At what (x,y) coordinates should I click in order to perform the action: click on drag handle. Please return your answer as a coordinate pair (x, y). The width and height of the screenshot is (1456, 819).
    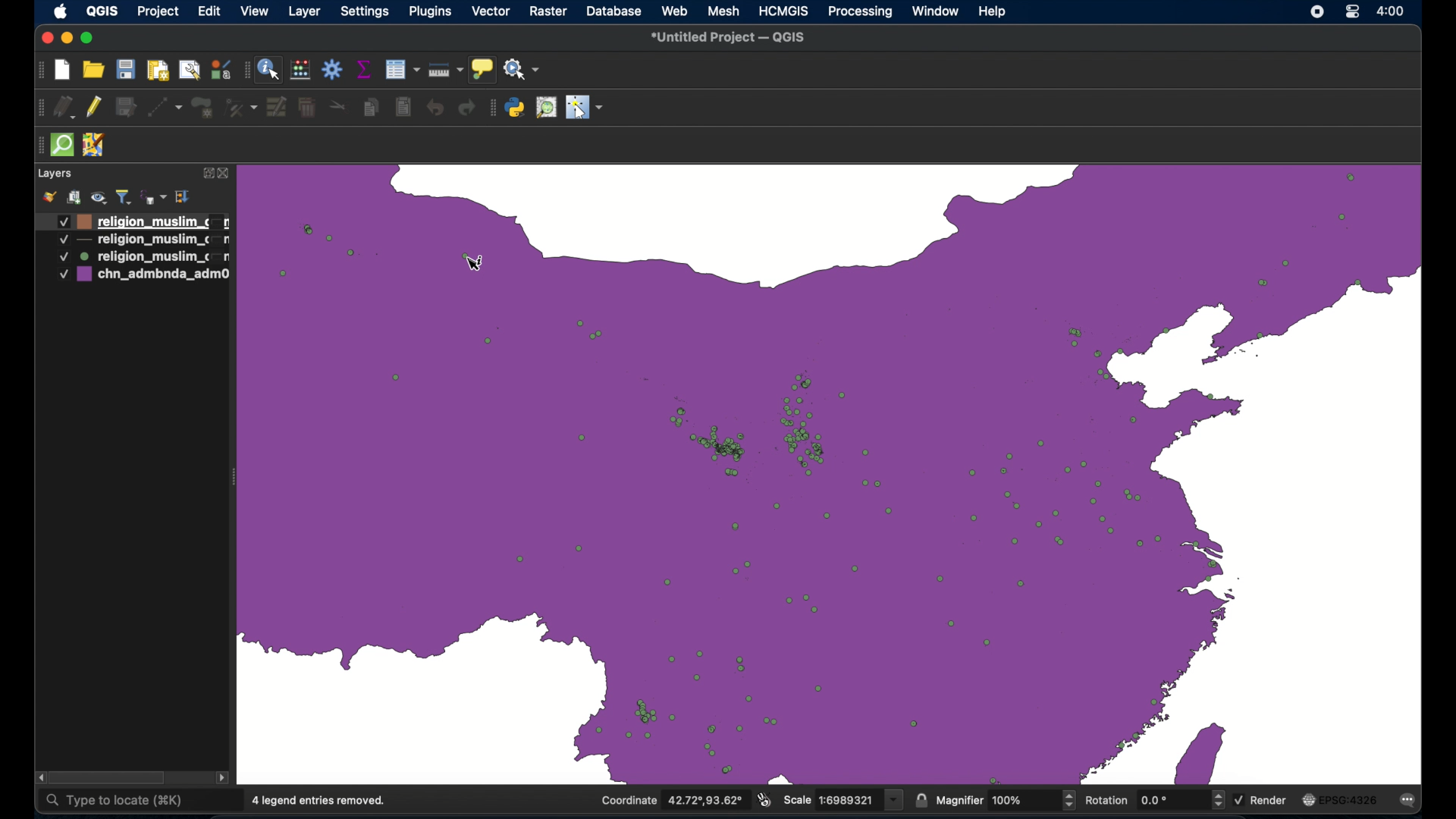
    Looking at the image, I should click on (39, 106).